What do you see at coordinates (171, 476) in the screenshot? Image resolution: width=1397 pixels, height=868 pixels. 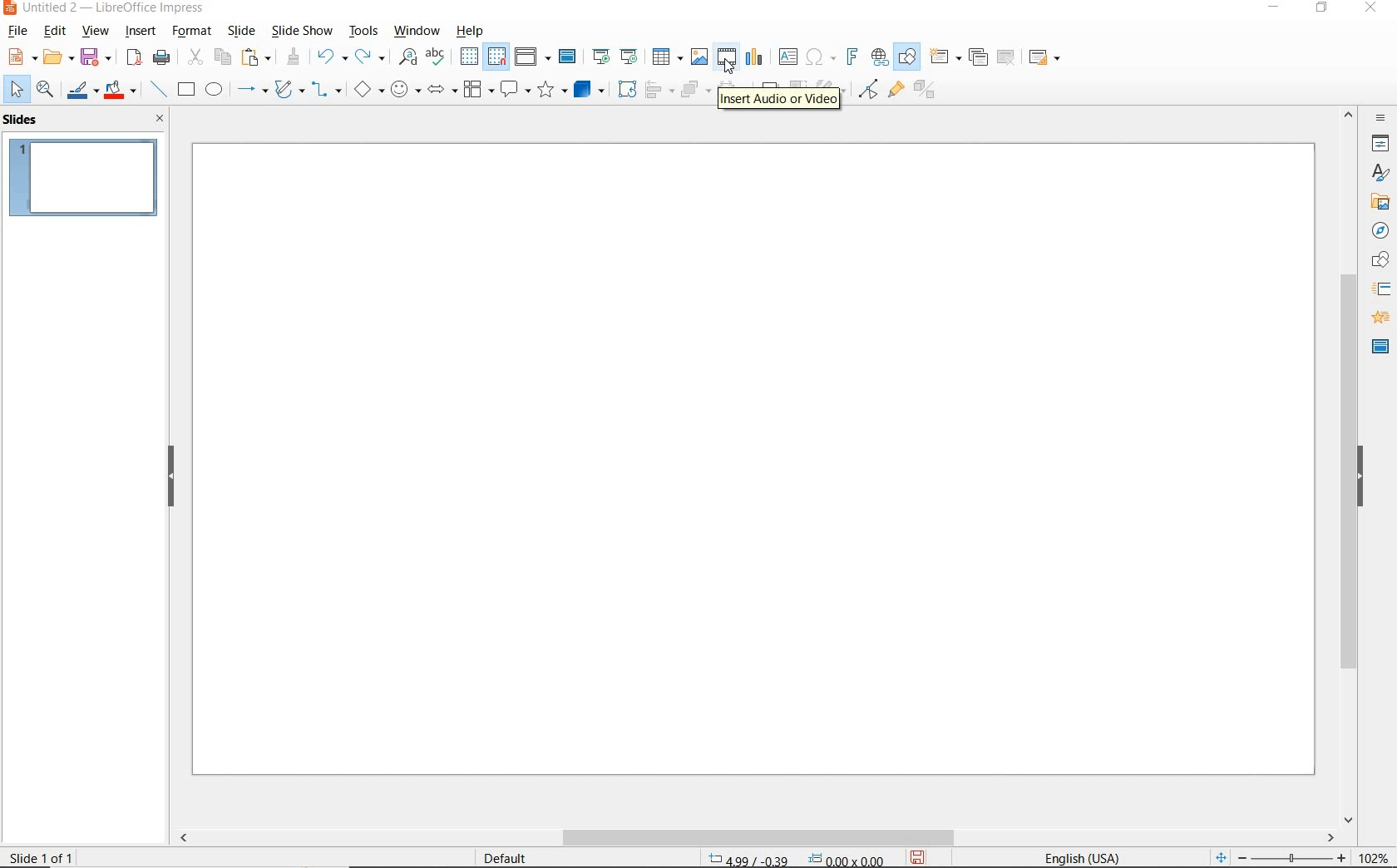 I see `HIDE` at bounding box center [171, 476].